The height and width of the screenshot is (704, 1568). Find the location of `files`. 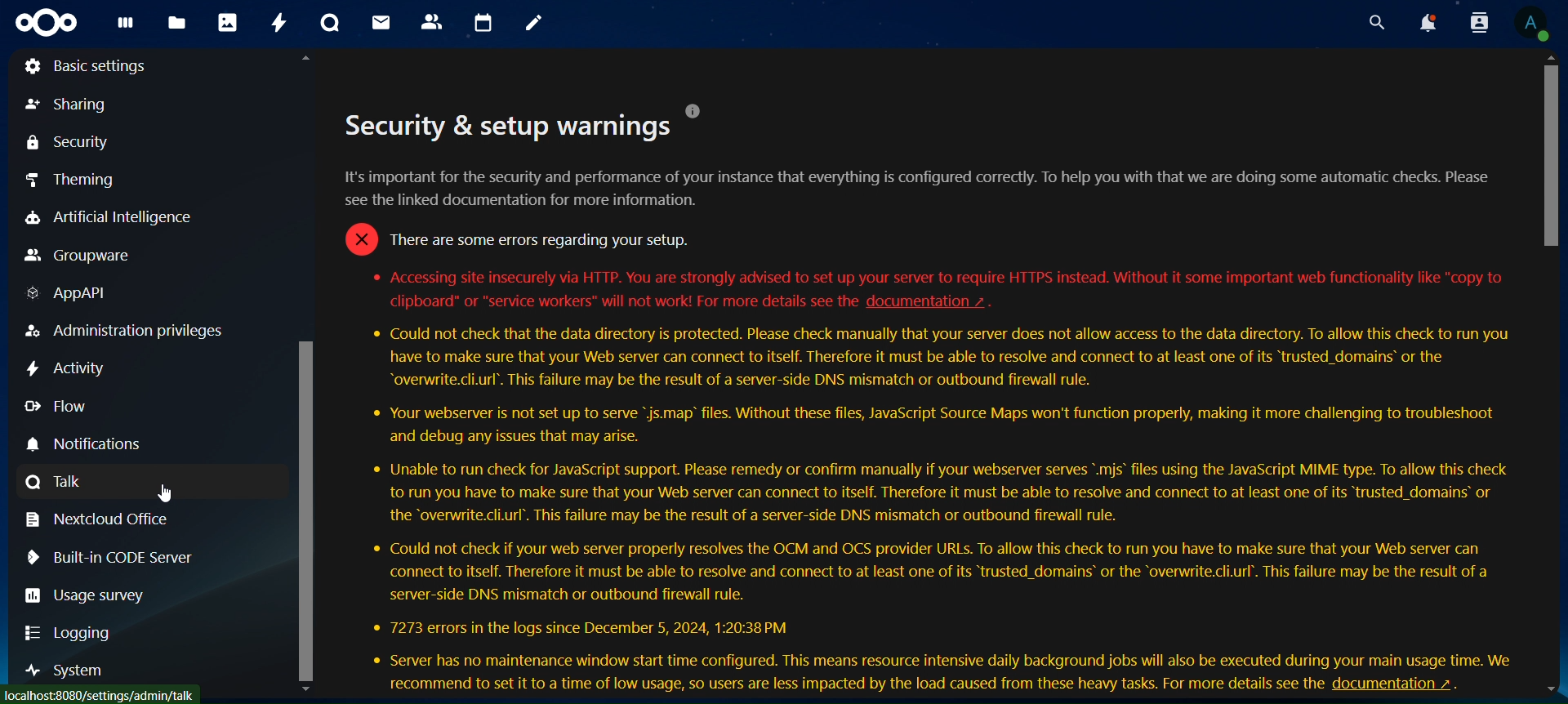

files is located at coordinates (176, 24).